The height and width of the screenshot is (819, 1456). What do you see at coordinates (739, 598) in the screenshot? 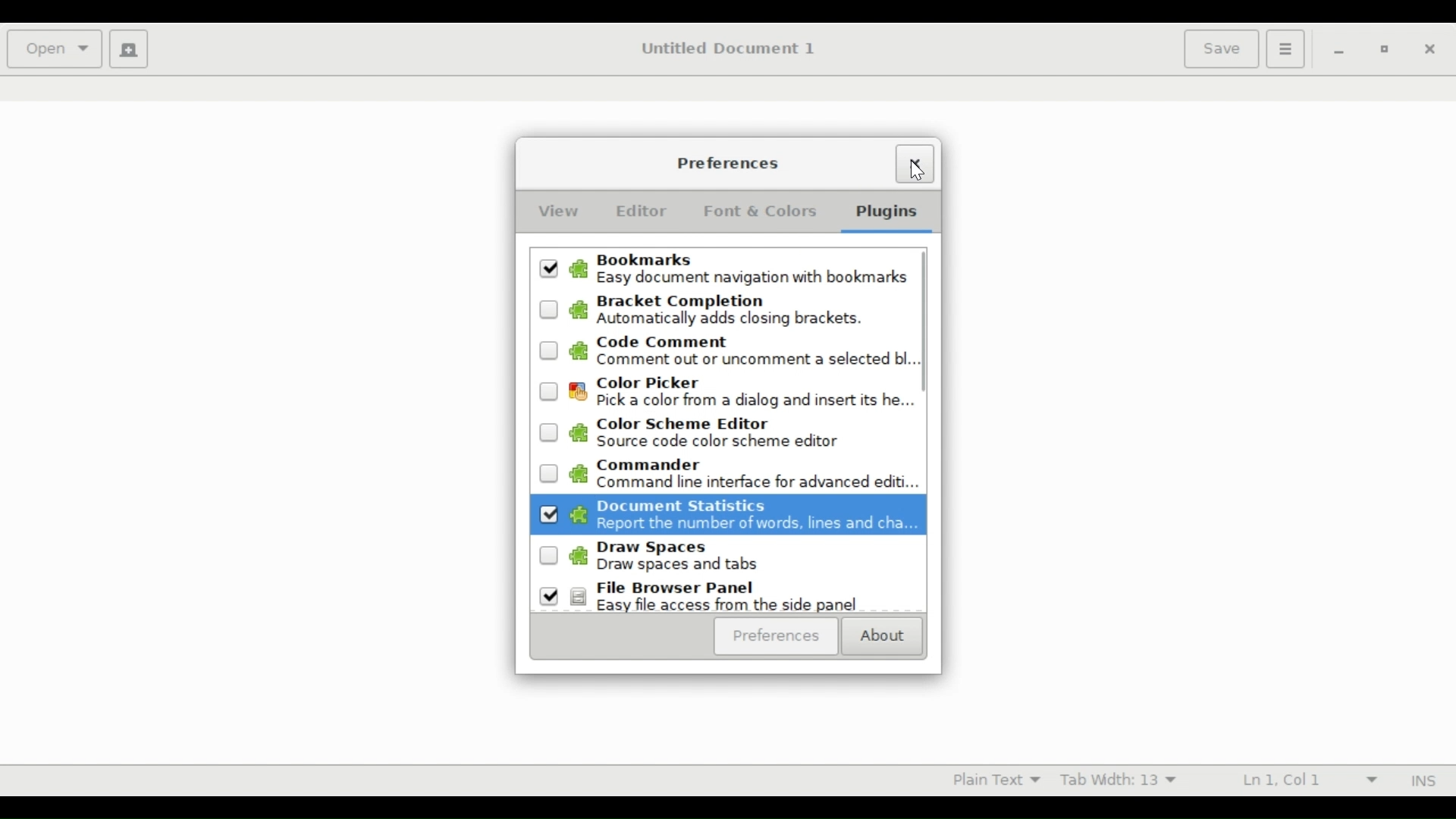
I see `(un)select File Browser Panel. Easy file access from side panel` at bounding box center [739, 598].